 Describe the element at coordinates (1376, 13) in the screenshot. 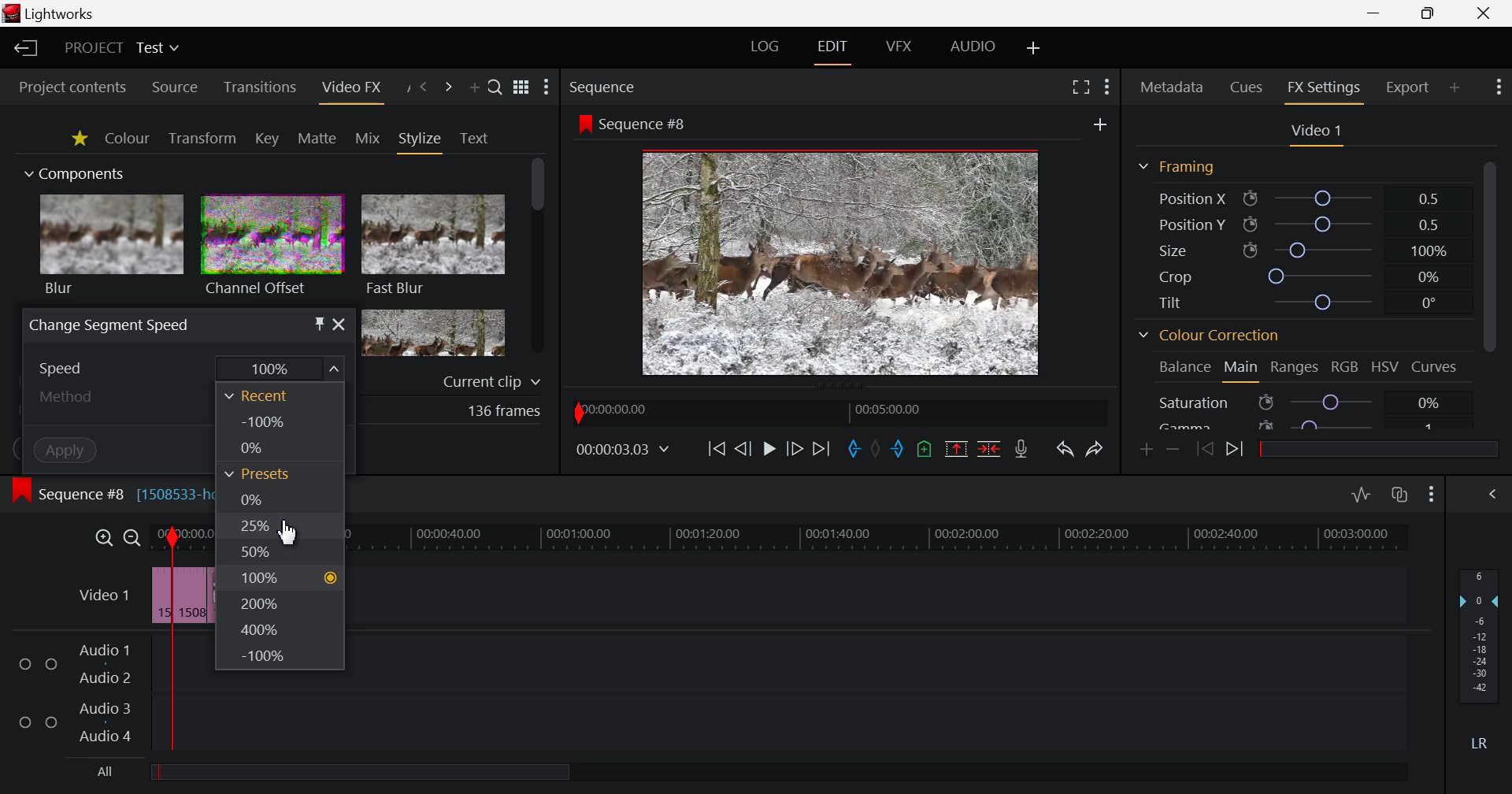

I see `Restore Down` at that location.